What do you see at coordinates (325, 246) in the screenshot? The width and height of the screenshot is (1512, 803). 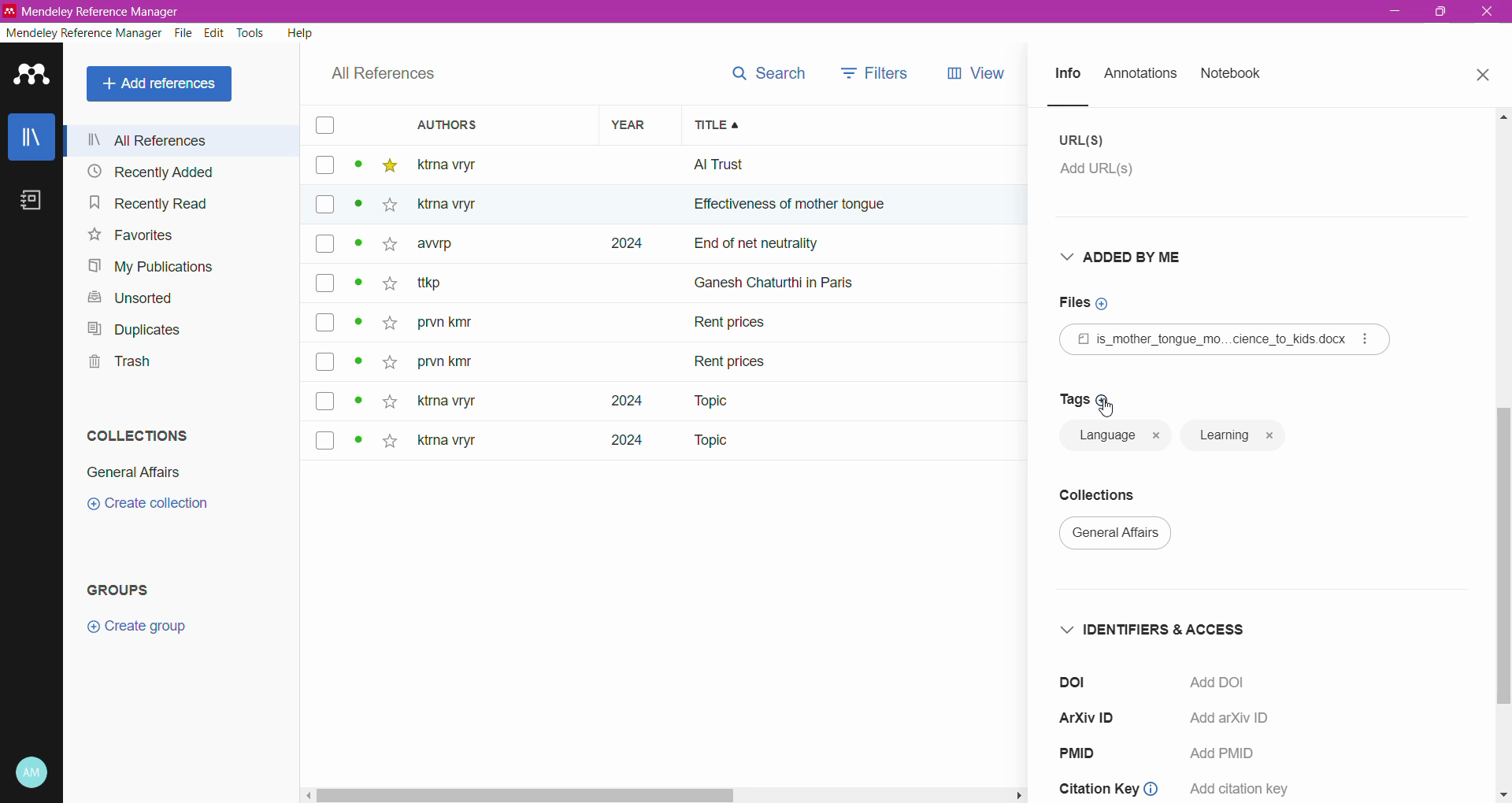 I see `box` at bounding box center [325, 246].